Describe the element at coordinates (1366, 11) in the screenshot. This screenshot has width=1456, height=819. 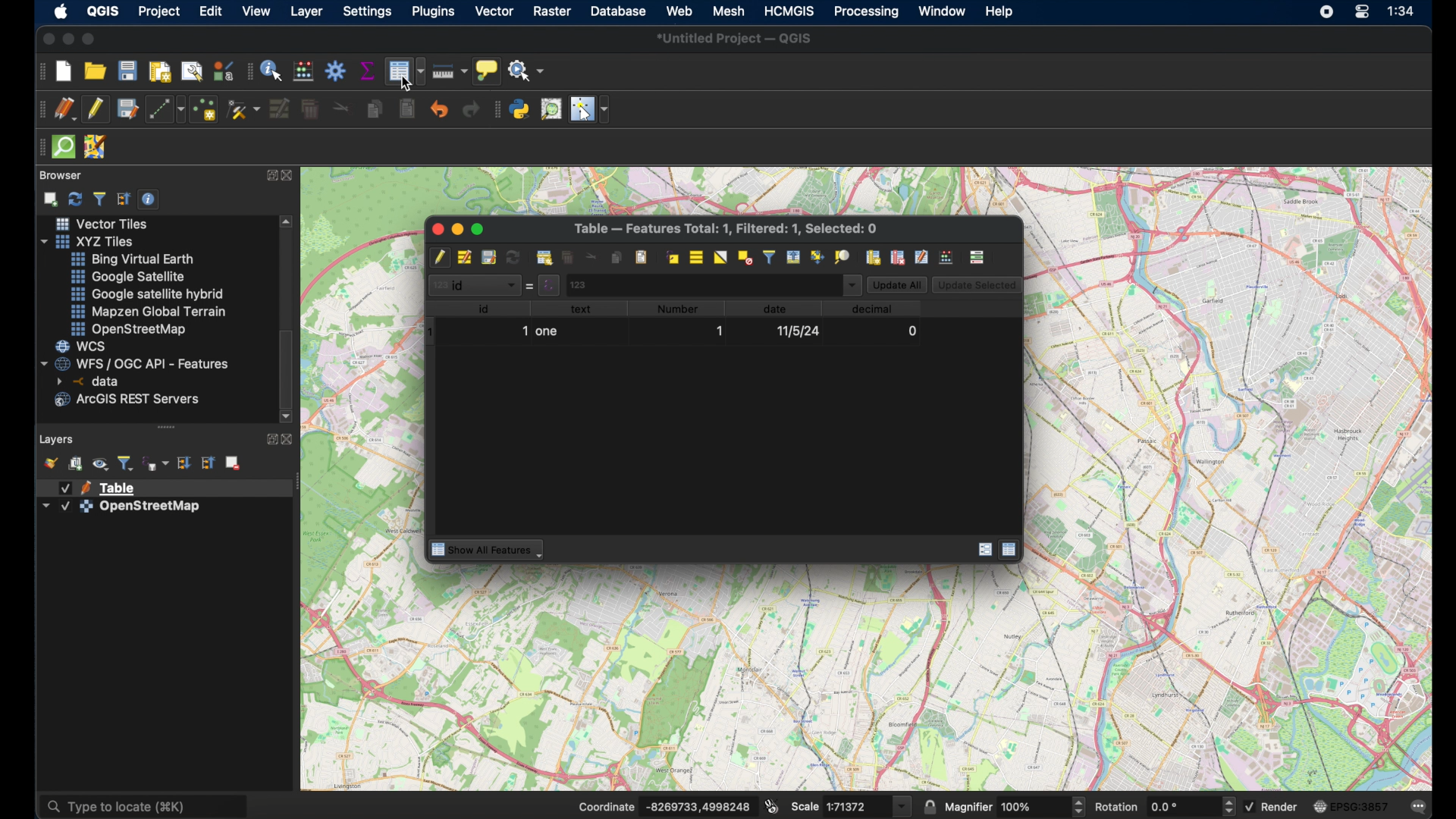
I see `center` at that location.